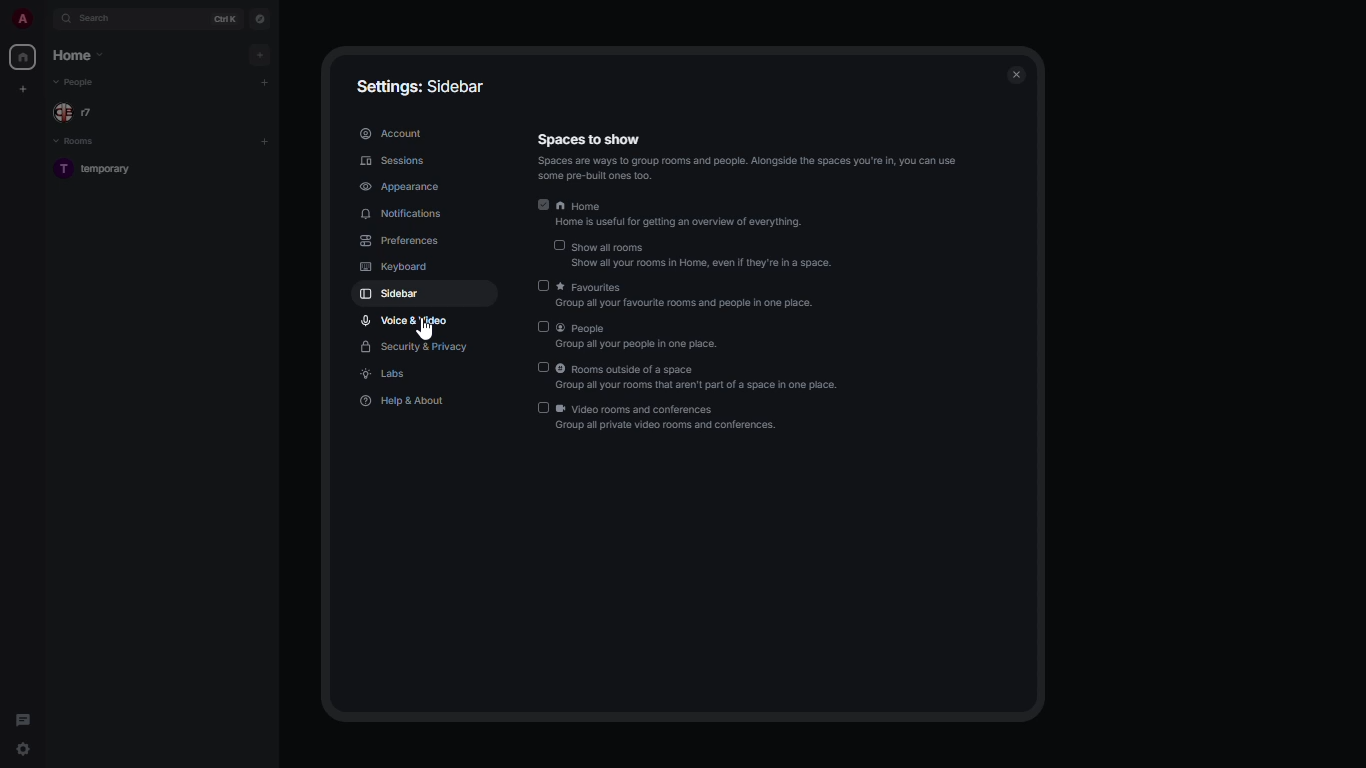 The width and height of the screenshot is (1366, 768). Describe the element at coordinates (394, 266) in the screenshot. I see `keyboard` at that location.